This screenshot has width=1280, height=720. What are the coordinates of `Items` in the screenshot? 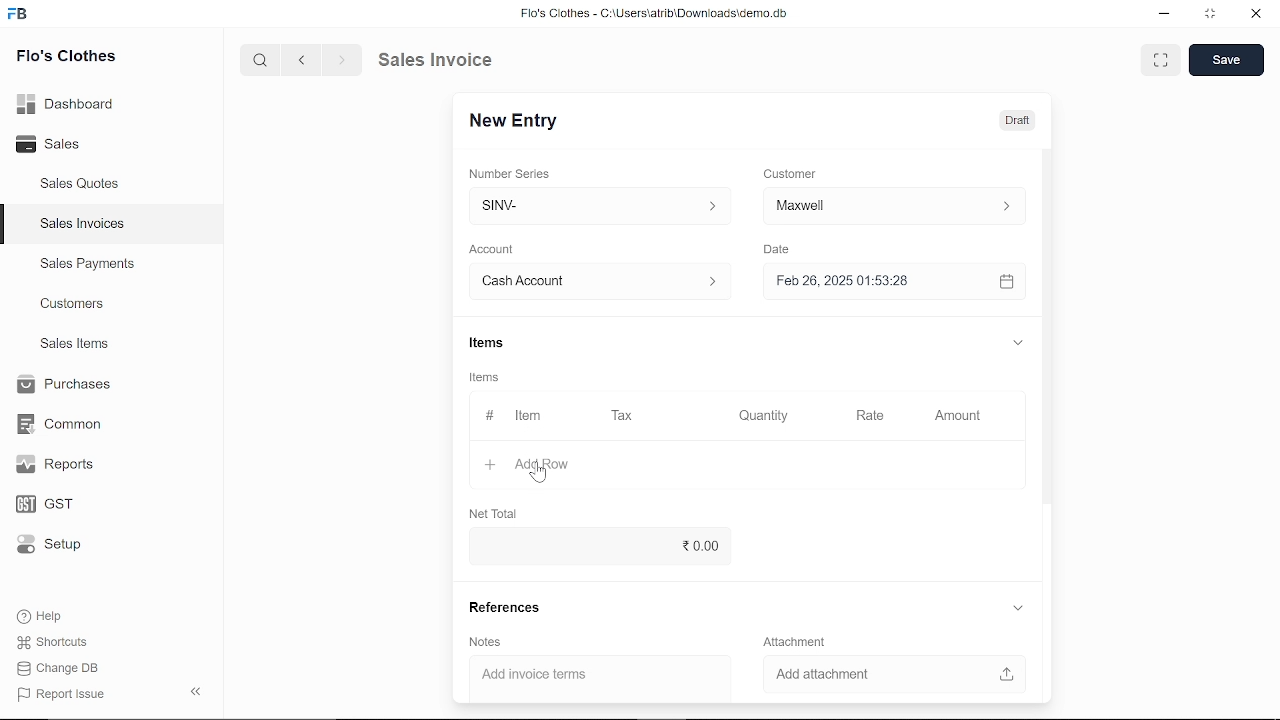 It's located at (485, 345).